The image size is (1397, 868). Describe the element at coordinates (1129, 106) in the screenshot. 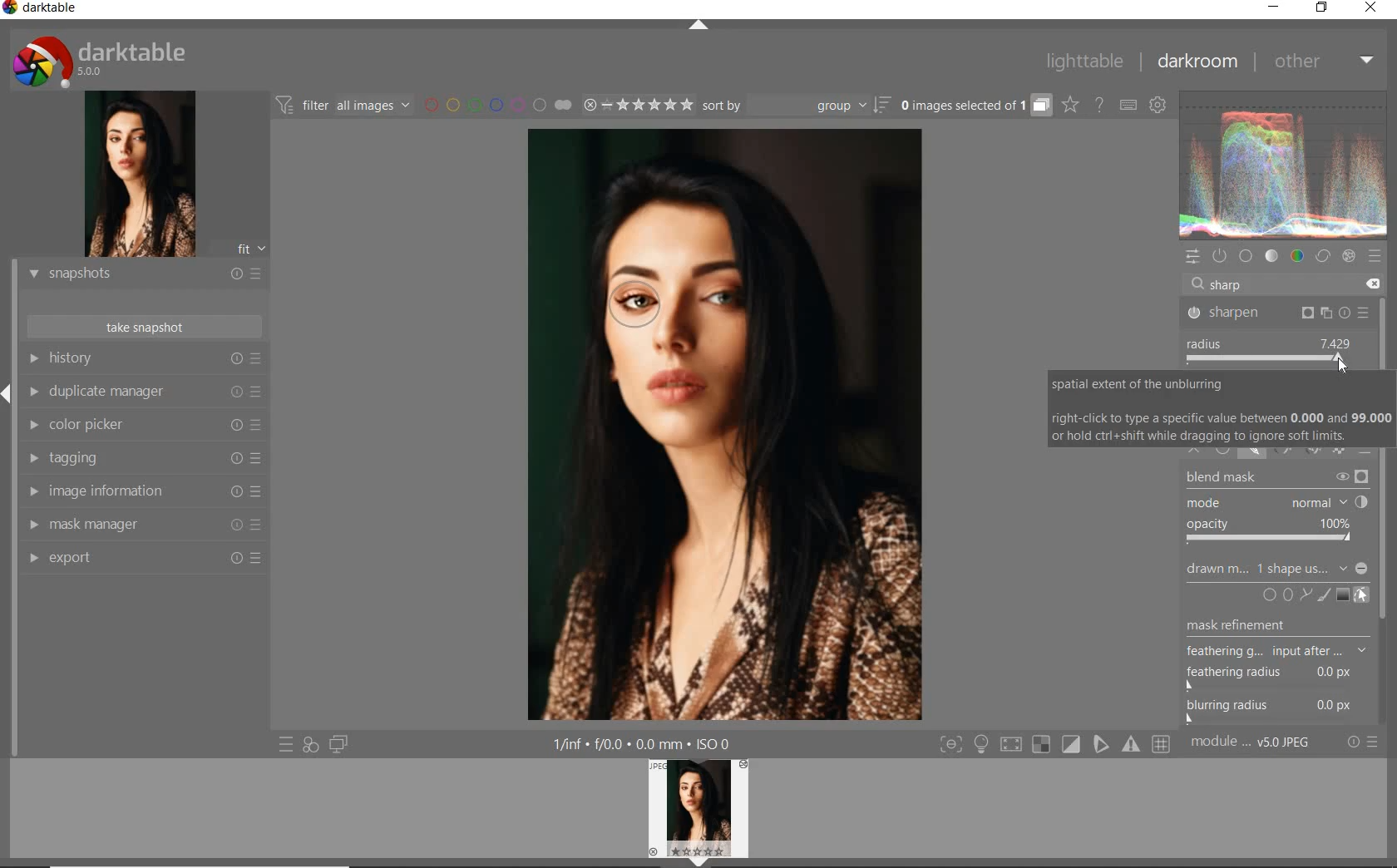

I see `set keyboard shortcuts` at that location.